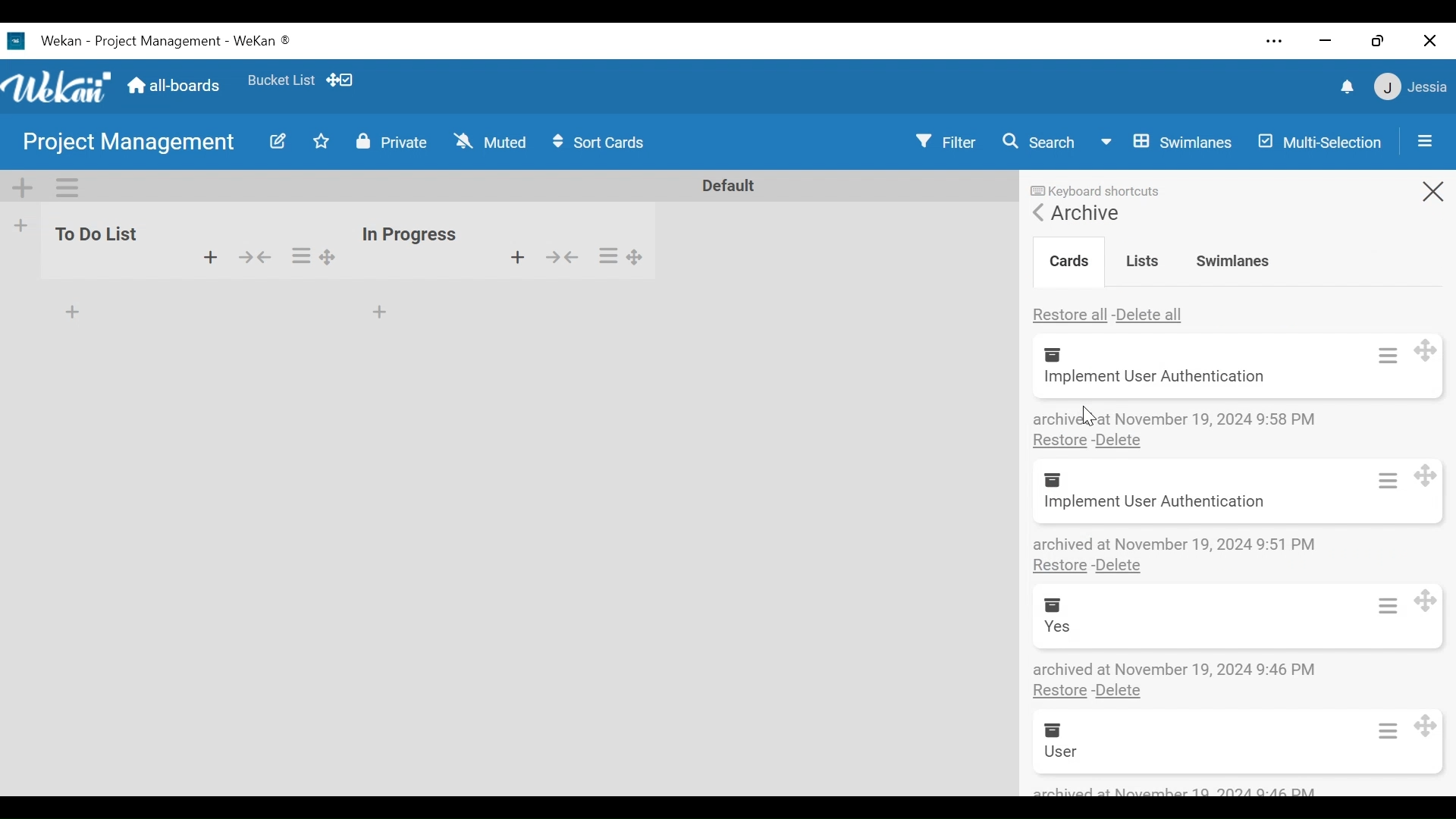 The width and height of the screenshot is (1456, 819). I want to click on Board Name, so click(129, 141).